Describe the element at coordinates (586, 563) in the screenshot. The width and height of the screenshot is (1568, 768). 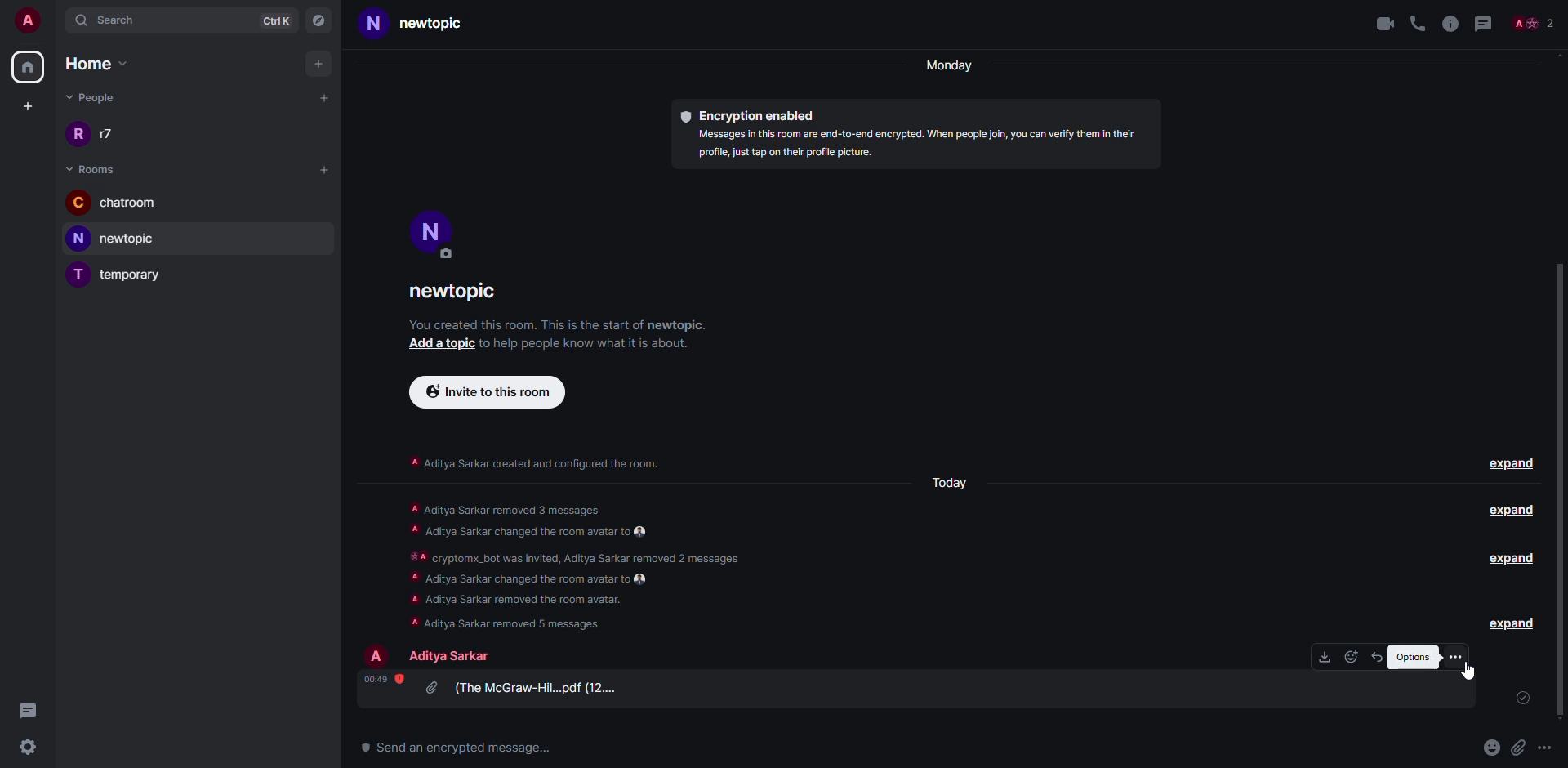
I see `A Aditya Sarkar removed 3 messages

A Aditya Sarkar changed the room avatar to

#A cryptomx_bot was invited, Aditya Sarkar removed 2 messages
A Aditya Sarkar changed the room avatar to

A Aditya Sarkar removed the room avatar.

A Aditya Sarkar removed 5 messages` at that location.